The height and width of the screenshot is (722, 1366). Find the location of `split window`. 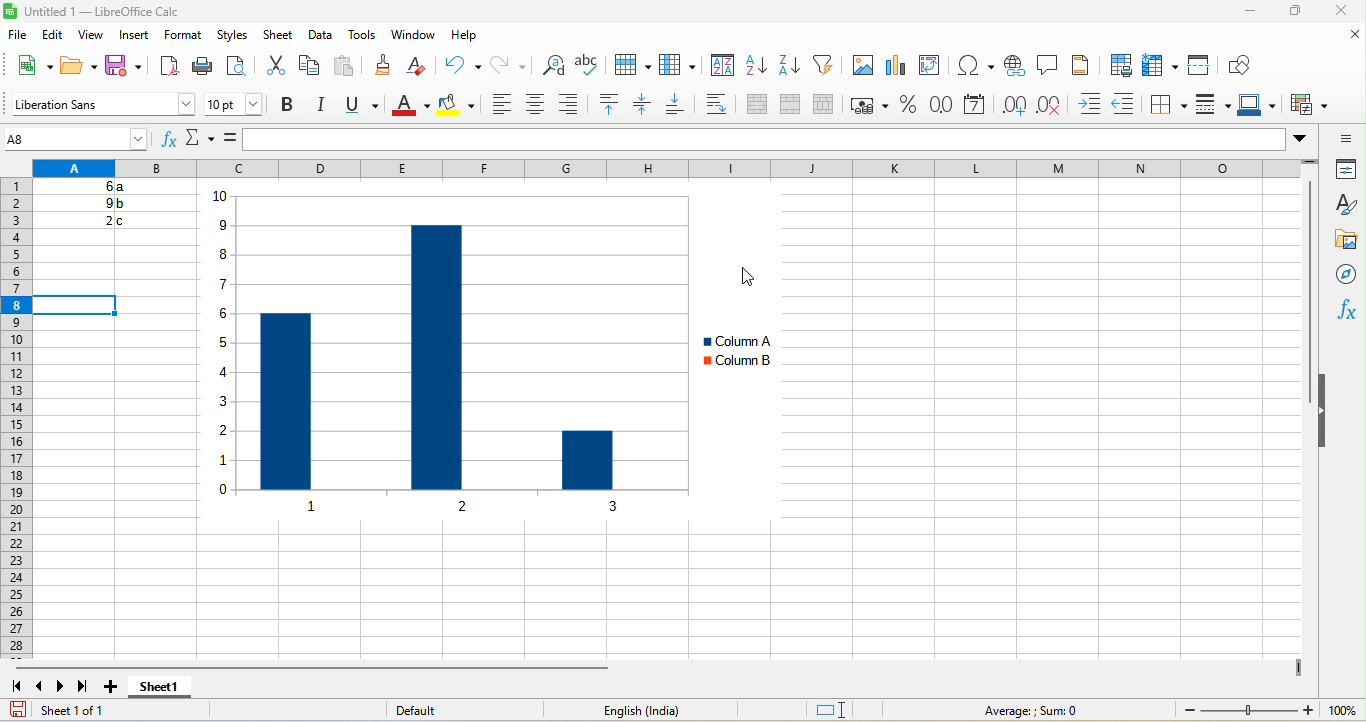

split window is located at coordinates (1203, 64).